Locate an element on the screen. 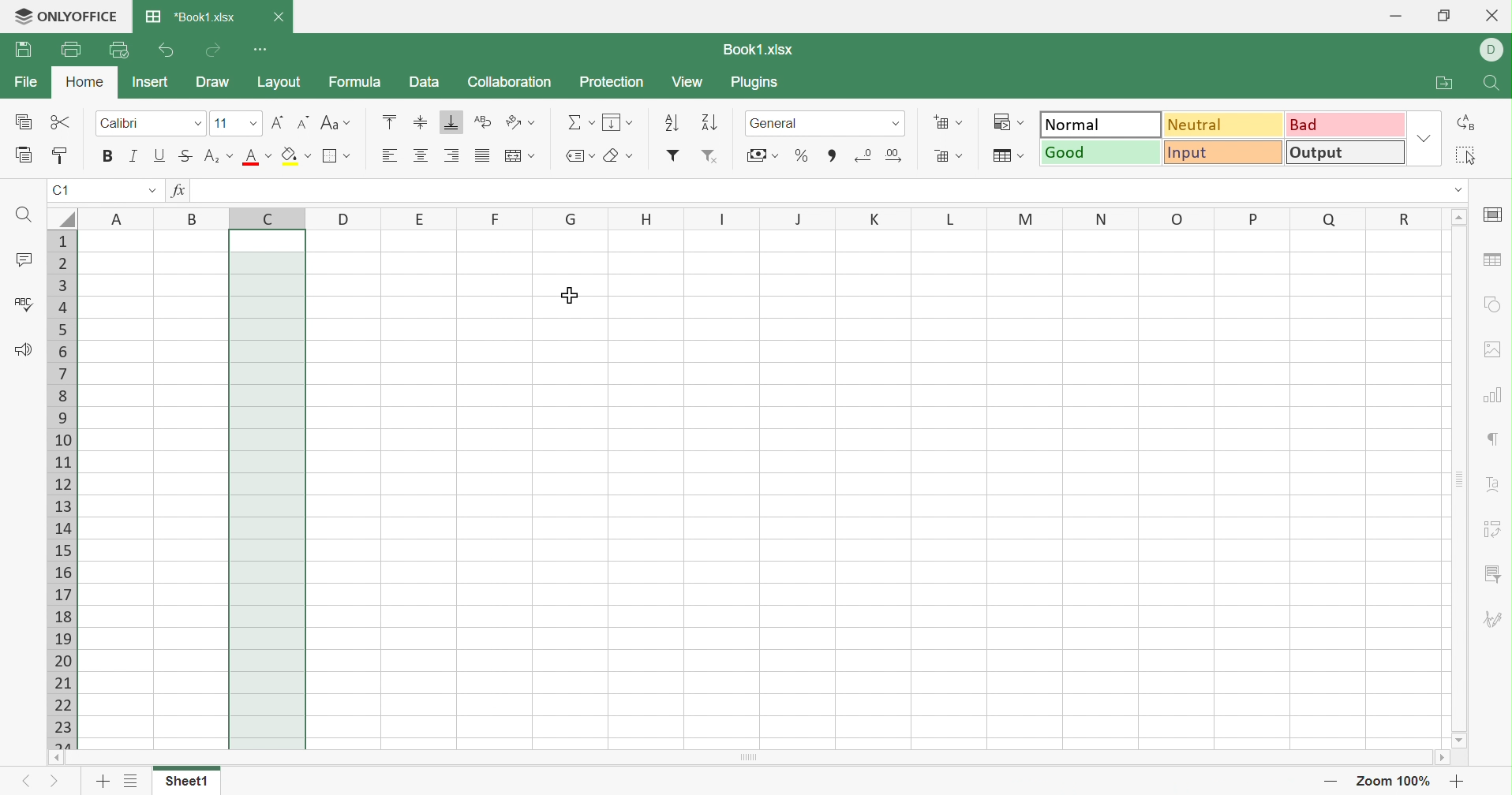 The image size is (1512, 795). Align Bottom is located at coordinates (453, 122).